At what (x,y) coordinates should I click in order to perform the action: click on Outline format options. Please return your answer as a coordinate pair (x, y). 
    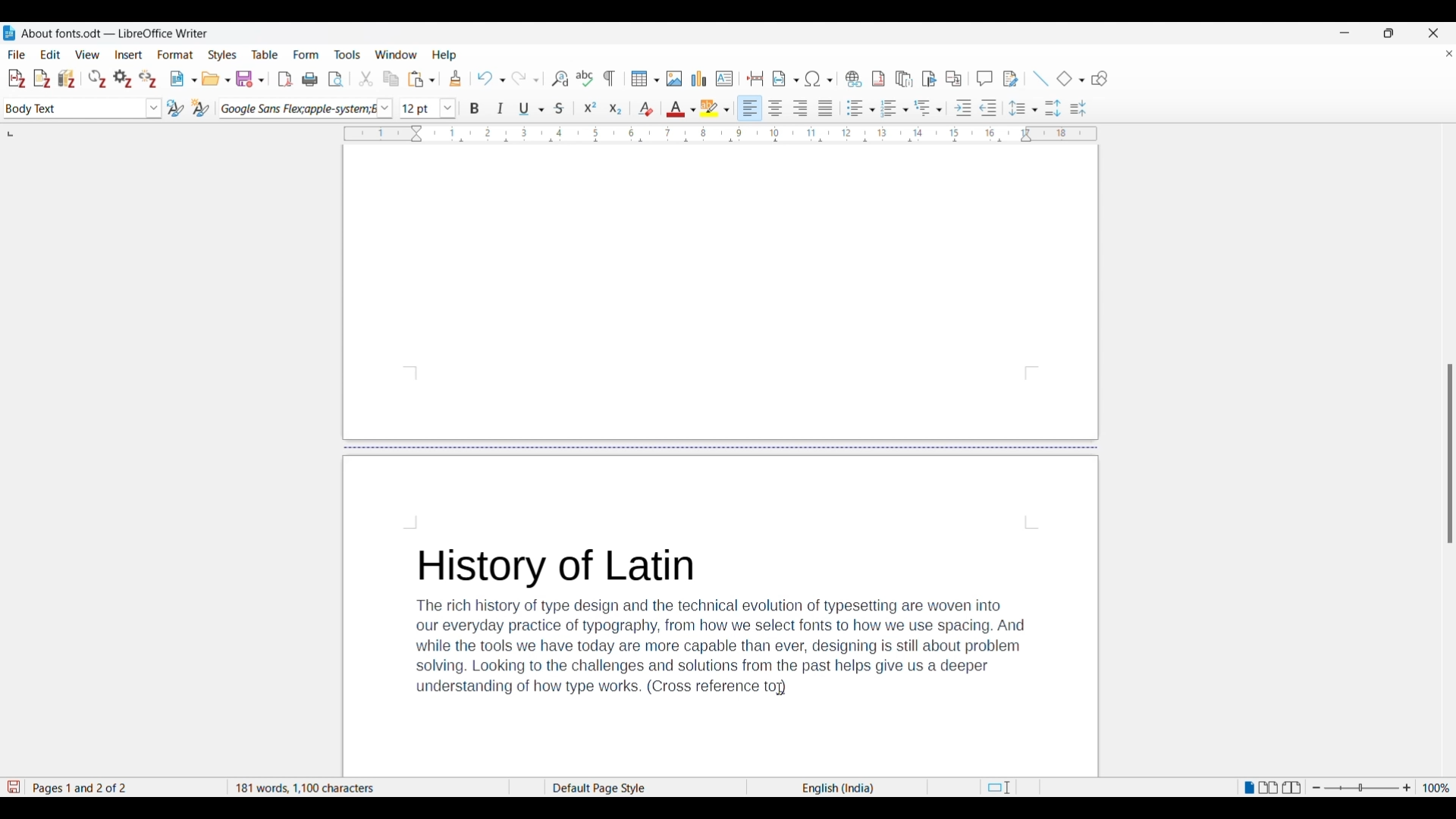
    Looking at the image, I should click on (929, 108).